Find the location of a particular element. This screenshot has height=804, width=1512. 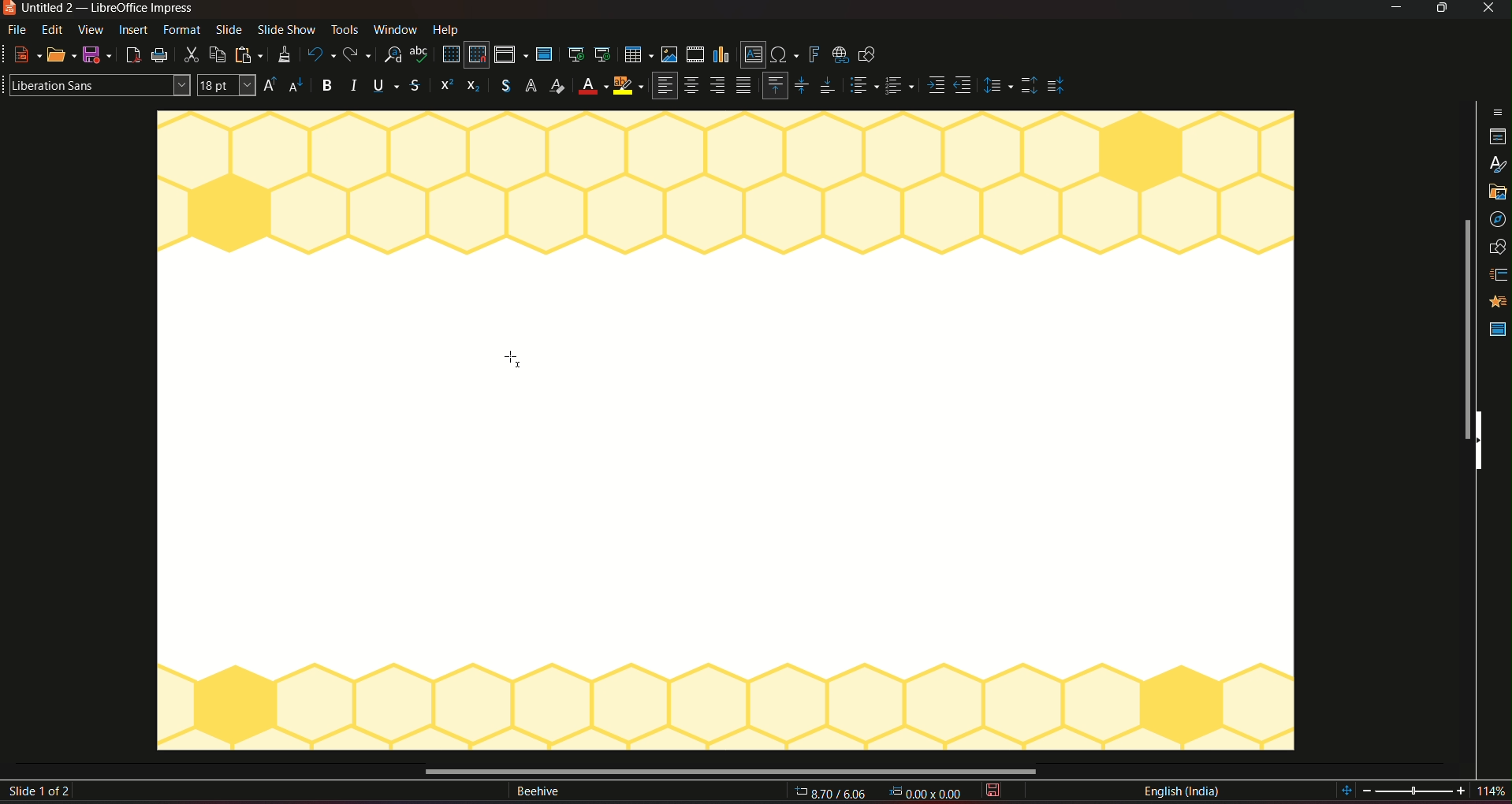

navigation is located at coordinates (1498, 189).